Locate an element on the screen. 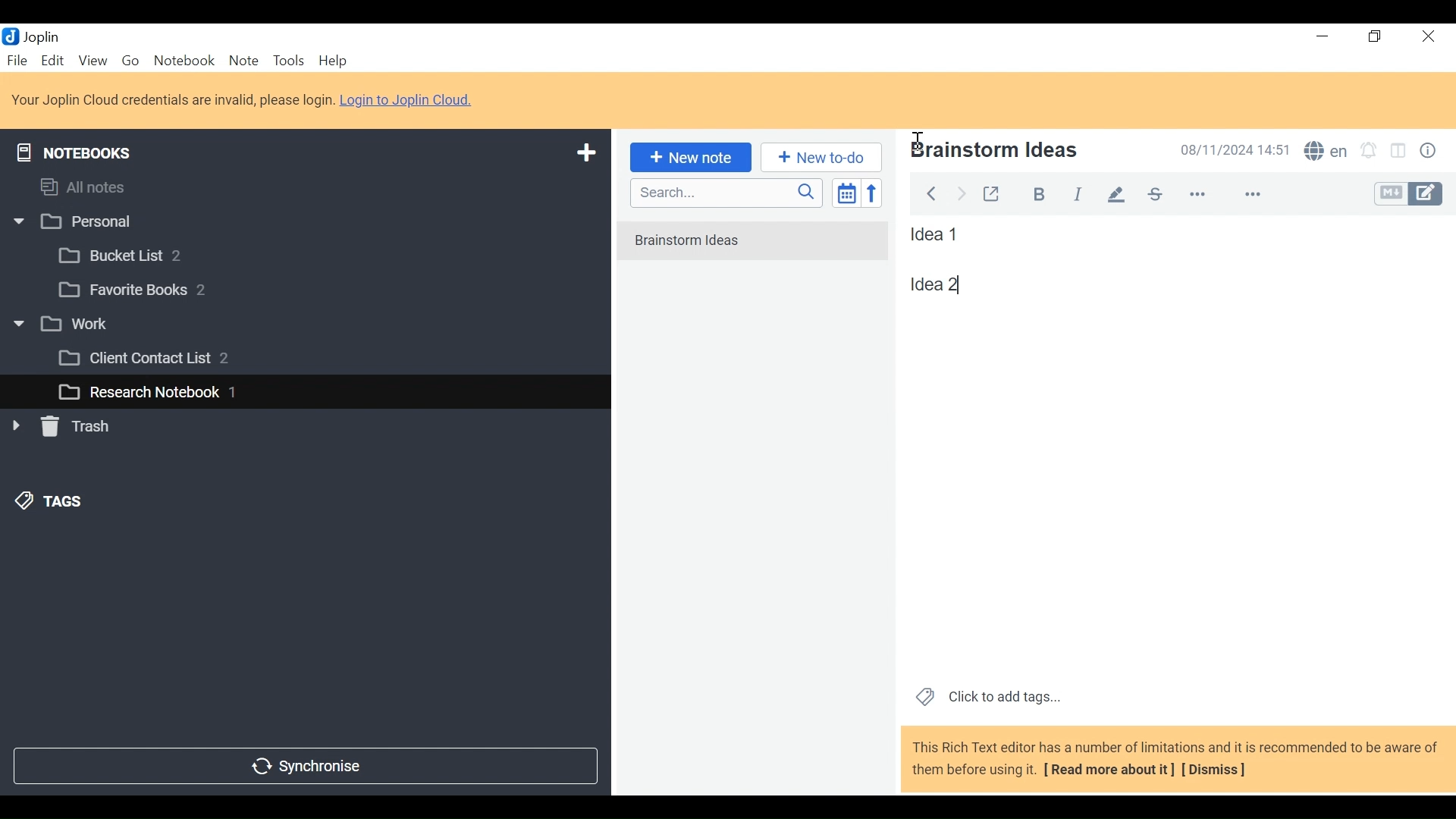 The height and width of the screenshot is (819, 1456). This Rich Text editor has a number of limitations and it is recommended to be aware of
them before using it. [ Read more about it] [Dismiss] is located at coordinates (1175, 758).